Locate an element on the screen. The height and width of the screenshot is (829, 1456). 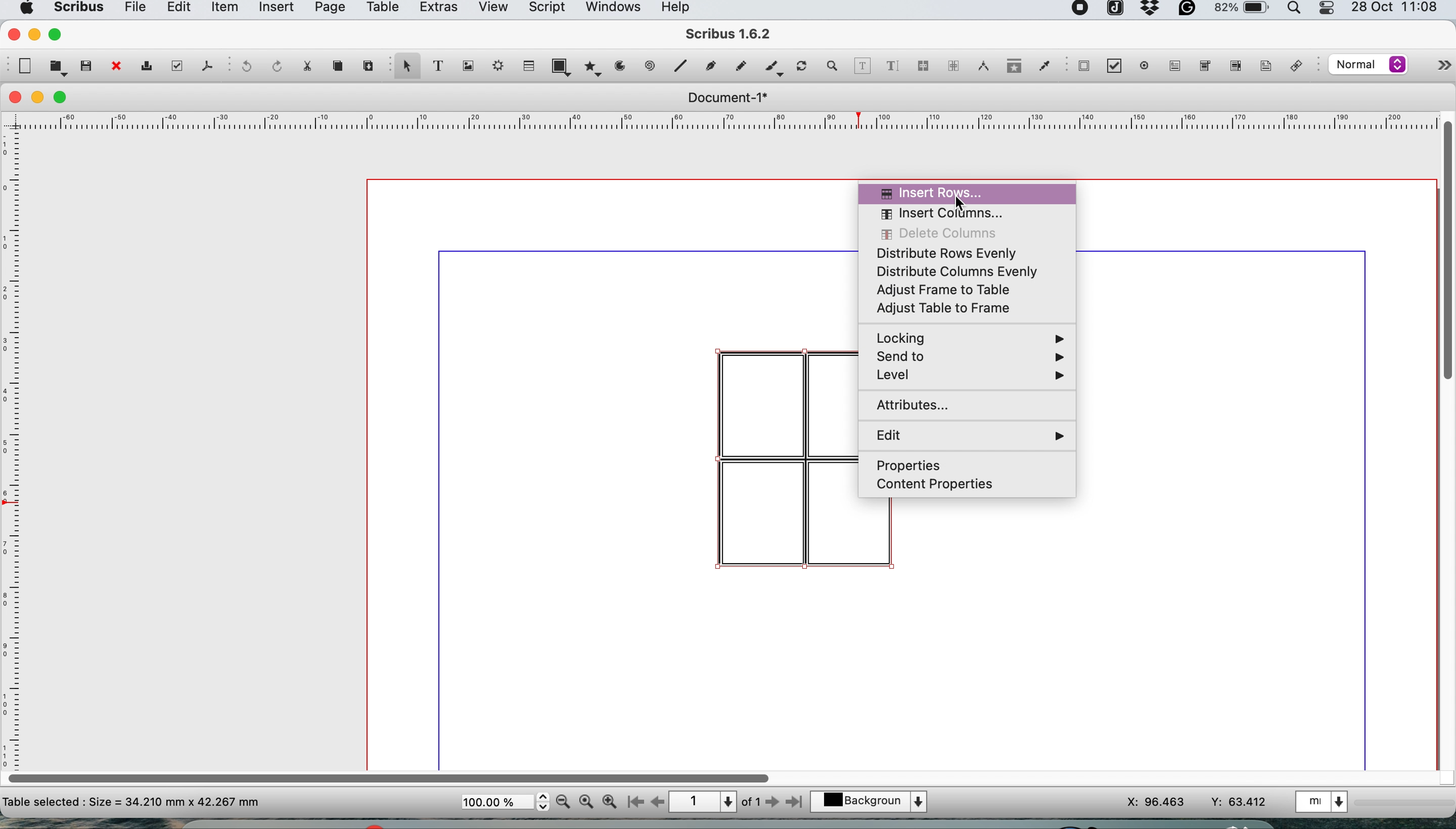
windows is located at coordinates (612, 10).